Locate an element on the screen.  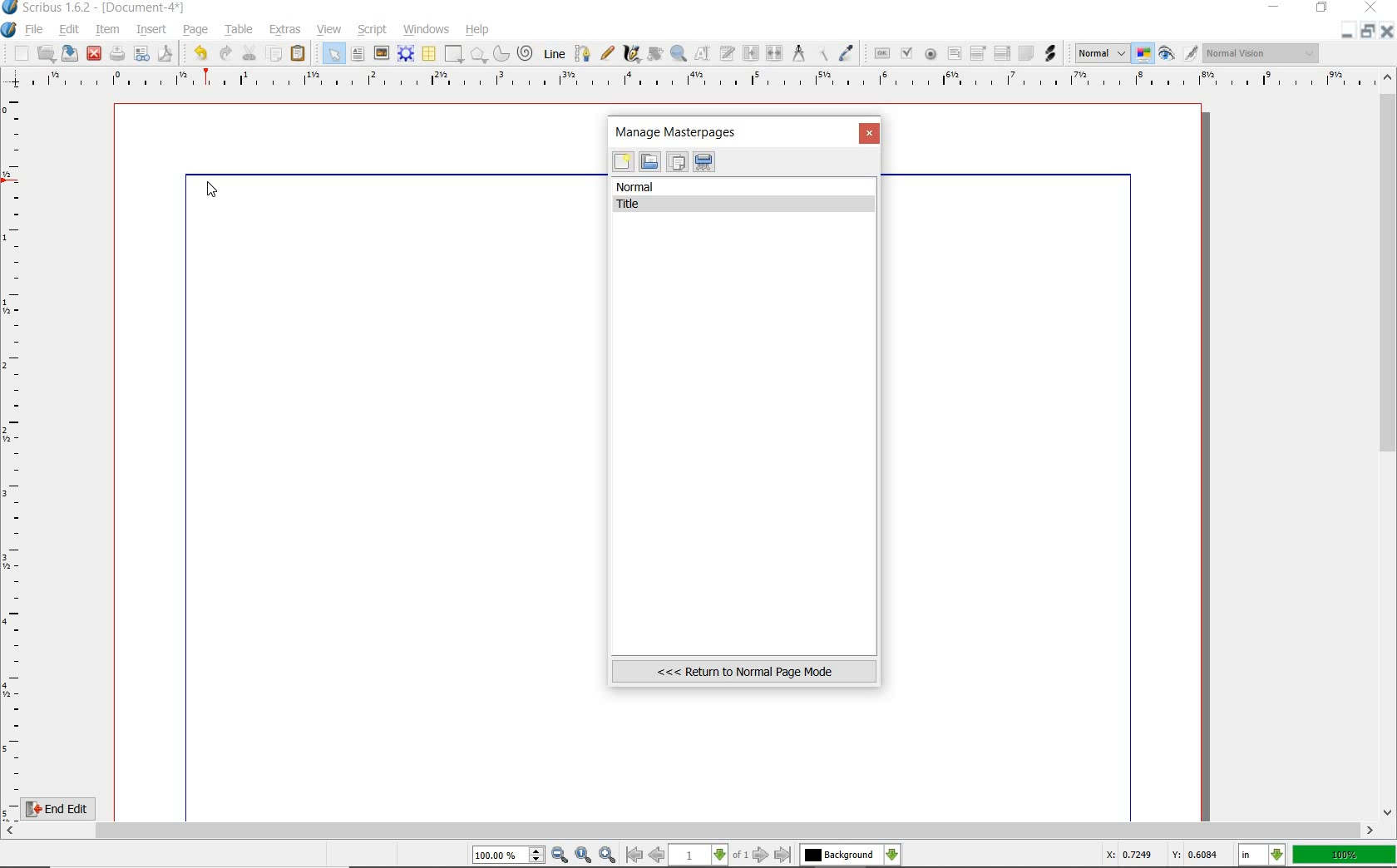
duplicate the selected masterpages is located at coordinates (677, 164).